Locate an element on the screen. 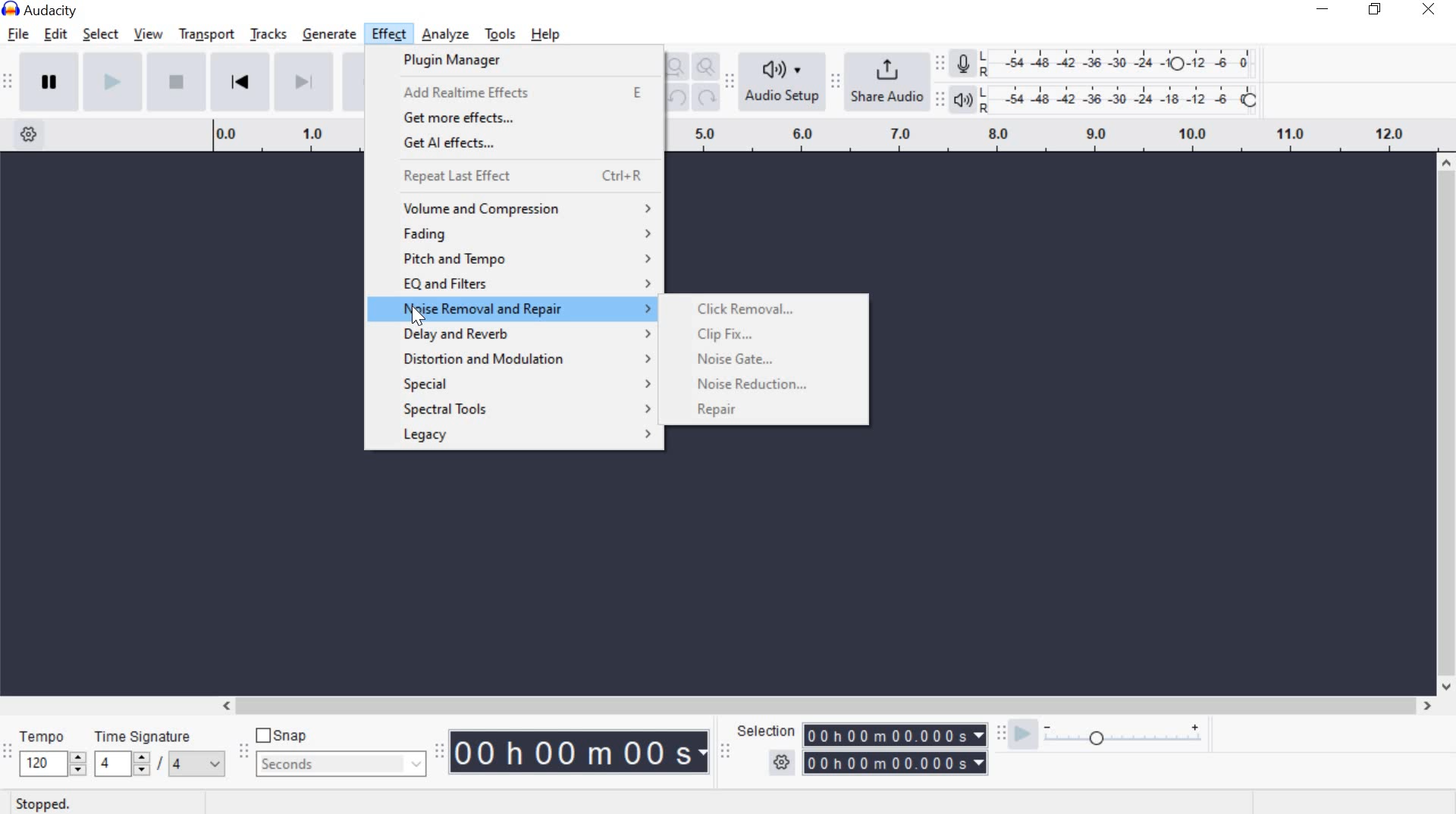  Recording level is located at coordinates (1123, 61).